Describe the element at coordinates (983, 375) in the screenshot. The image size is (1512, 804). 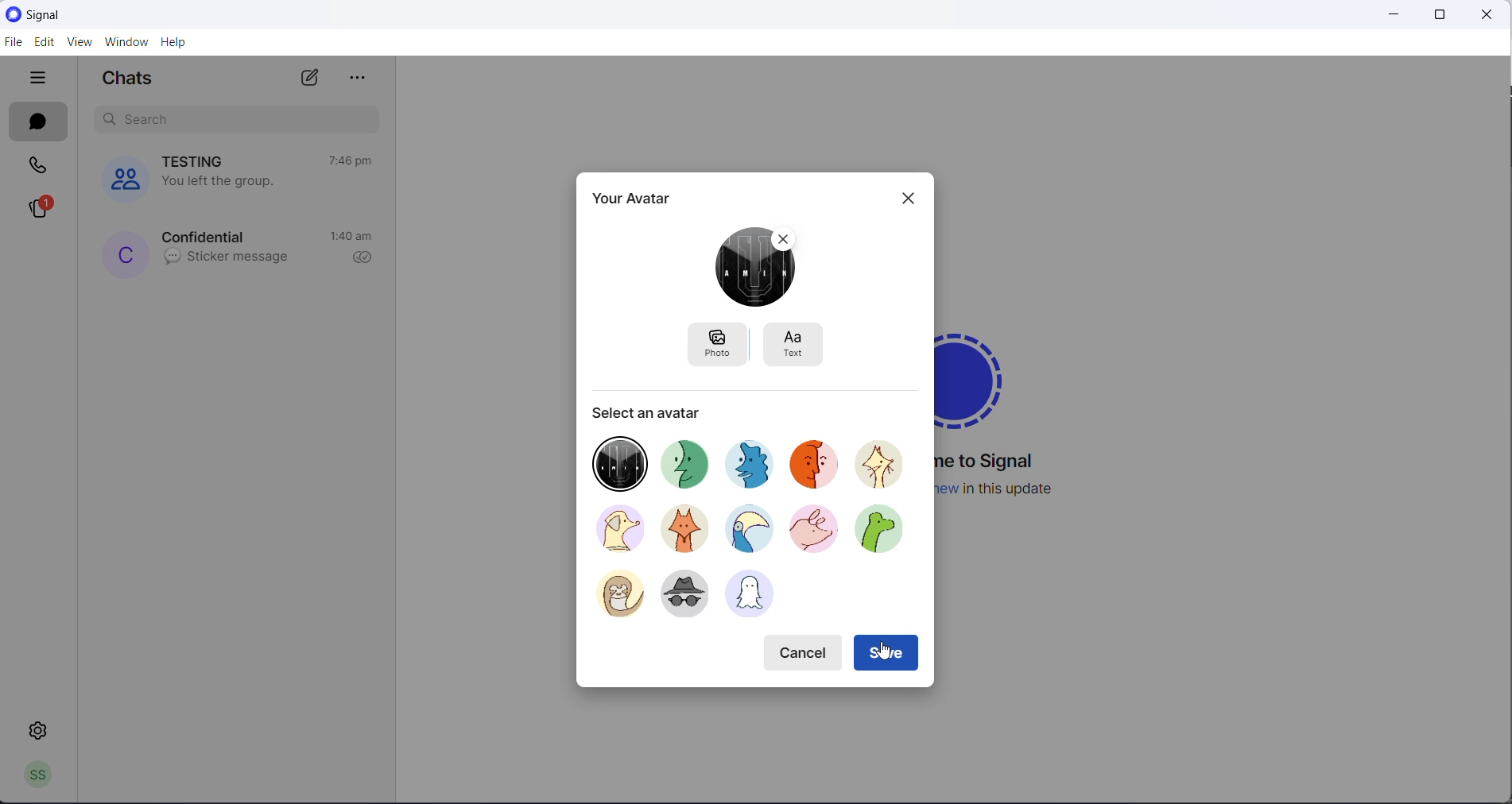
I see `signal logo` at that location.